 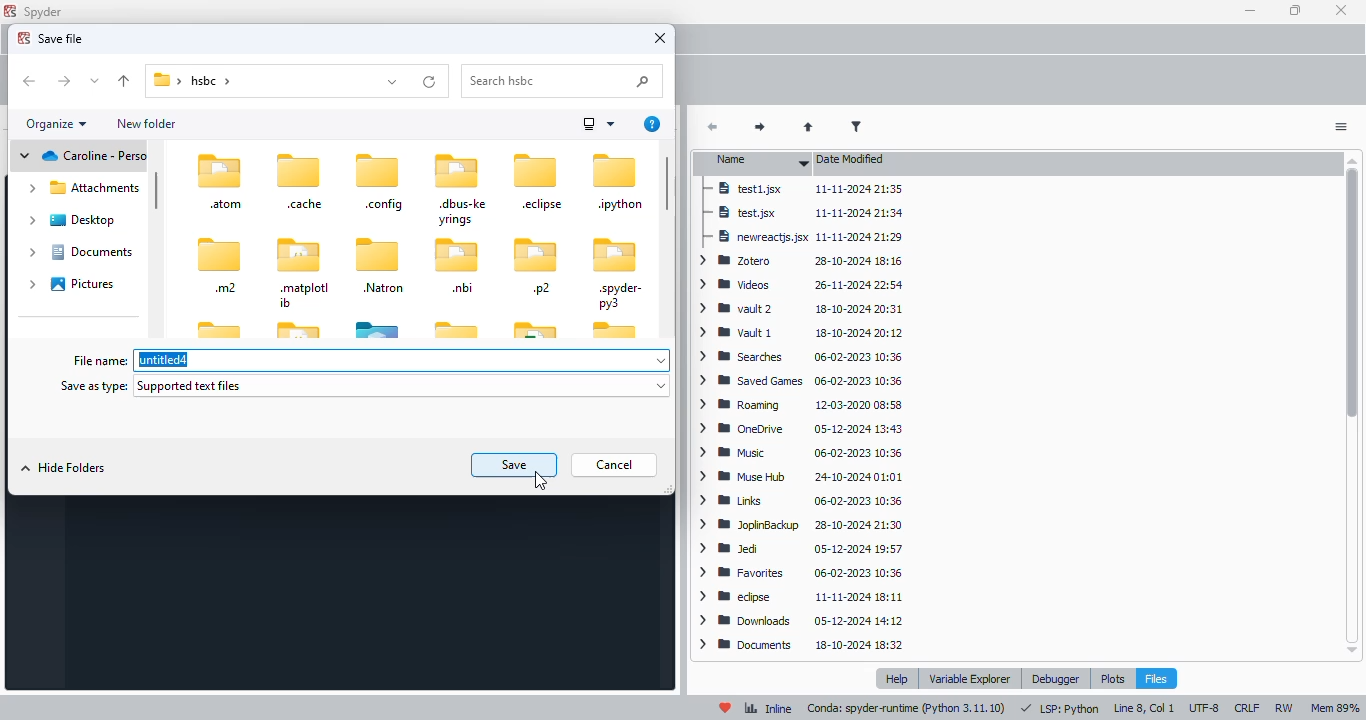 I want to click on Scrollbar, so click(x=1354, y=292).